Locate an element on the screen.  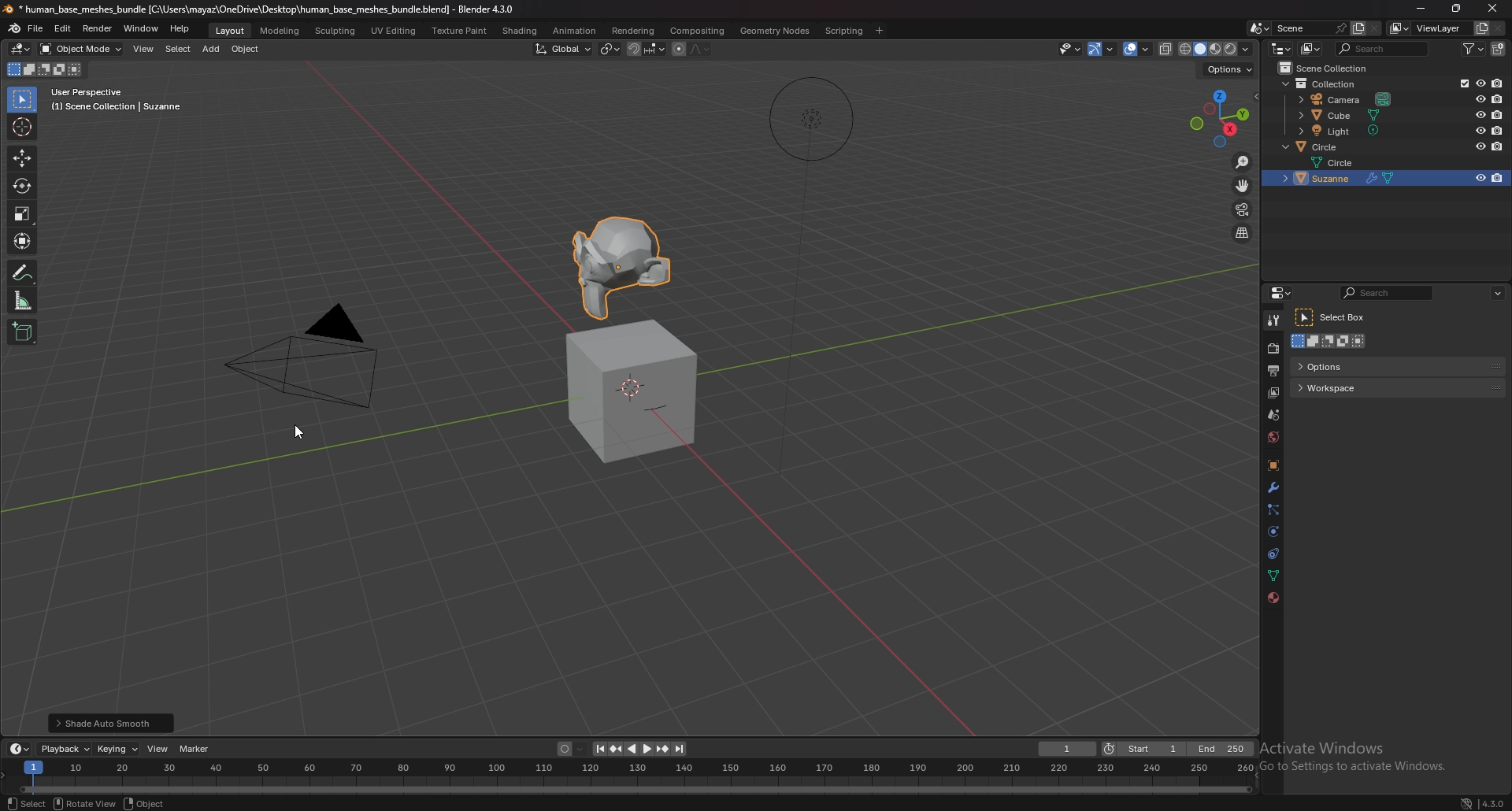
cube is located at coordinates (634, 391).